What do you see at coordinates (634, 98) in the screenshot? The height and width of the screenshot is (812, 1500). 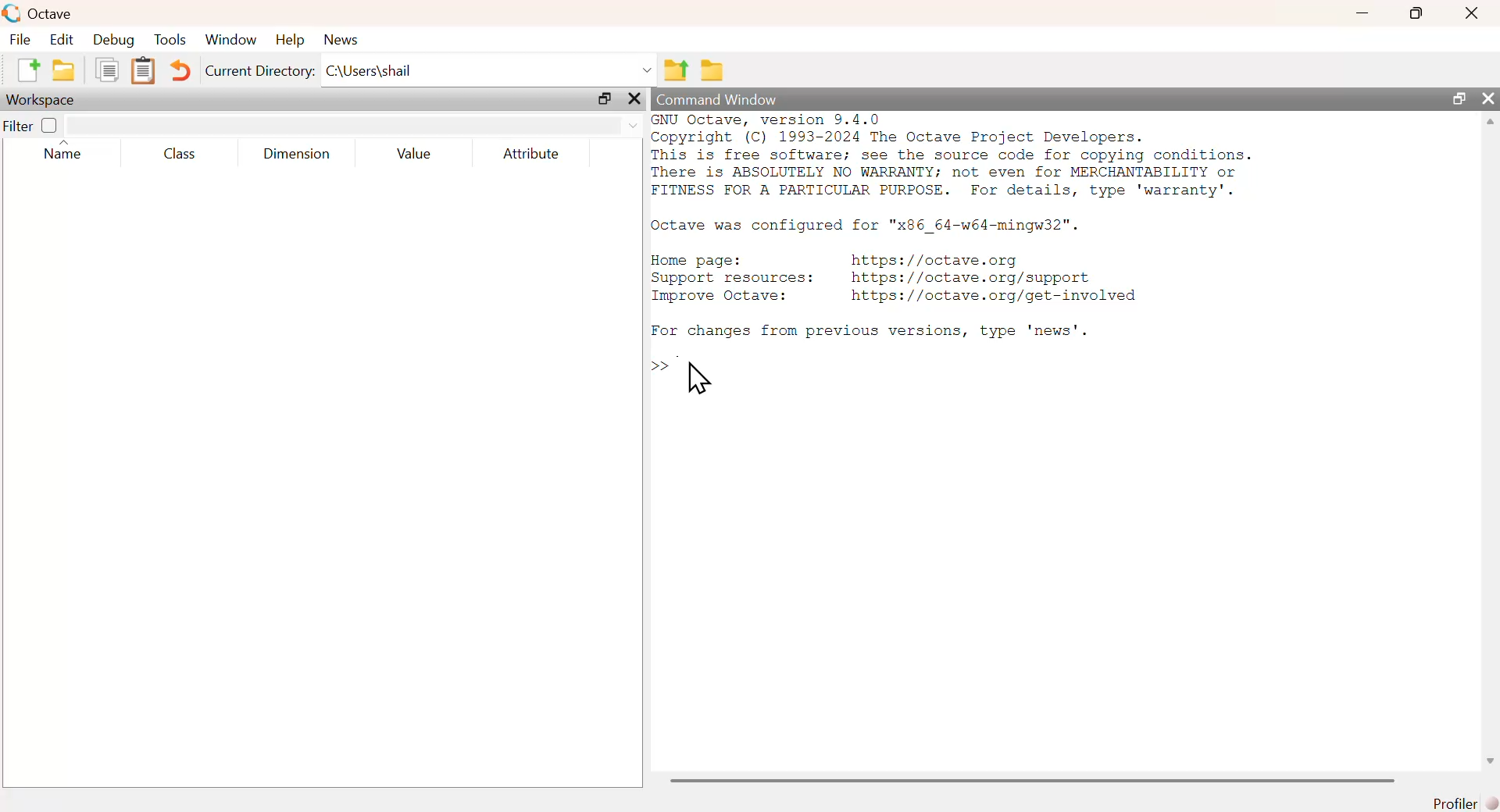 I see `close` at bounding box center [634, 98].